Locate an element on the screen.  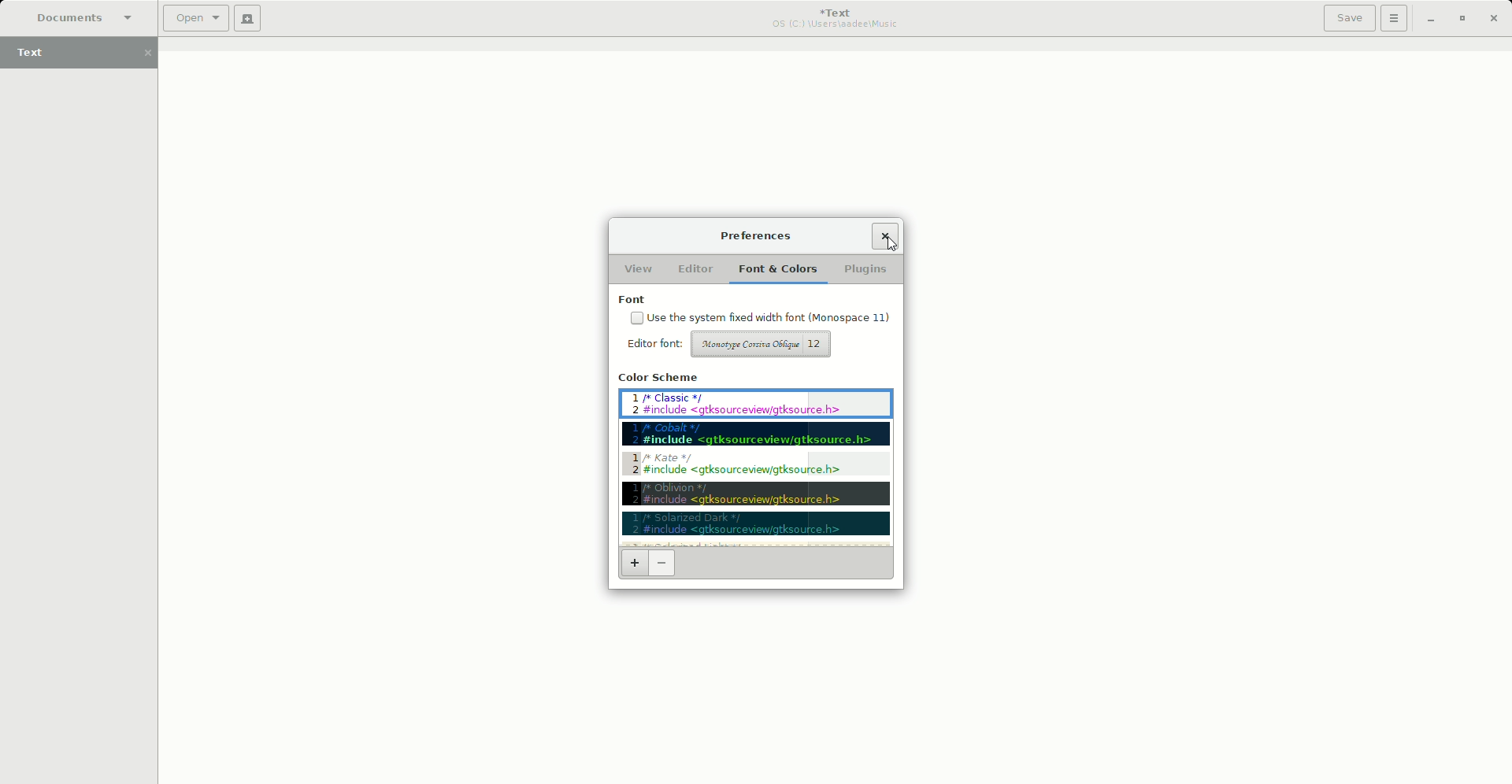
Documents is located at coordinates (77, 17).